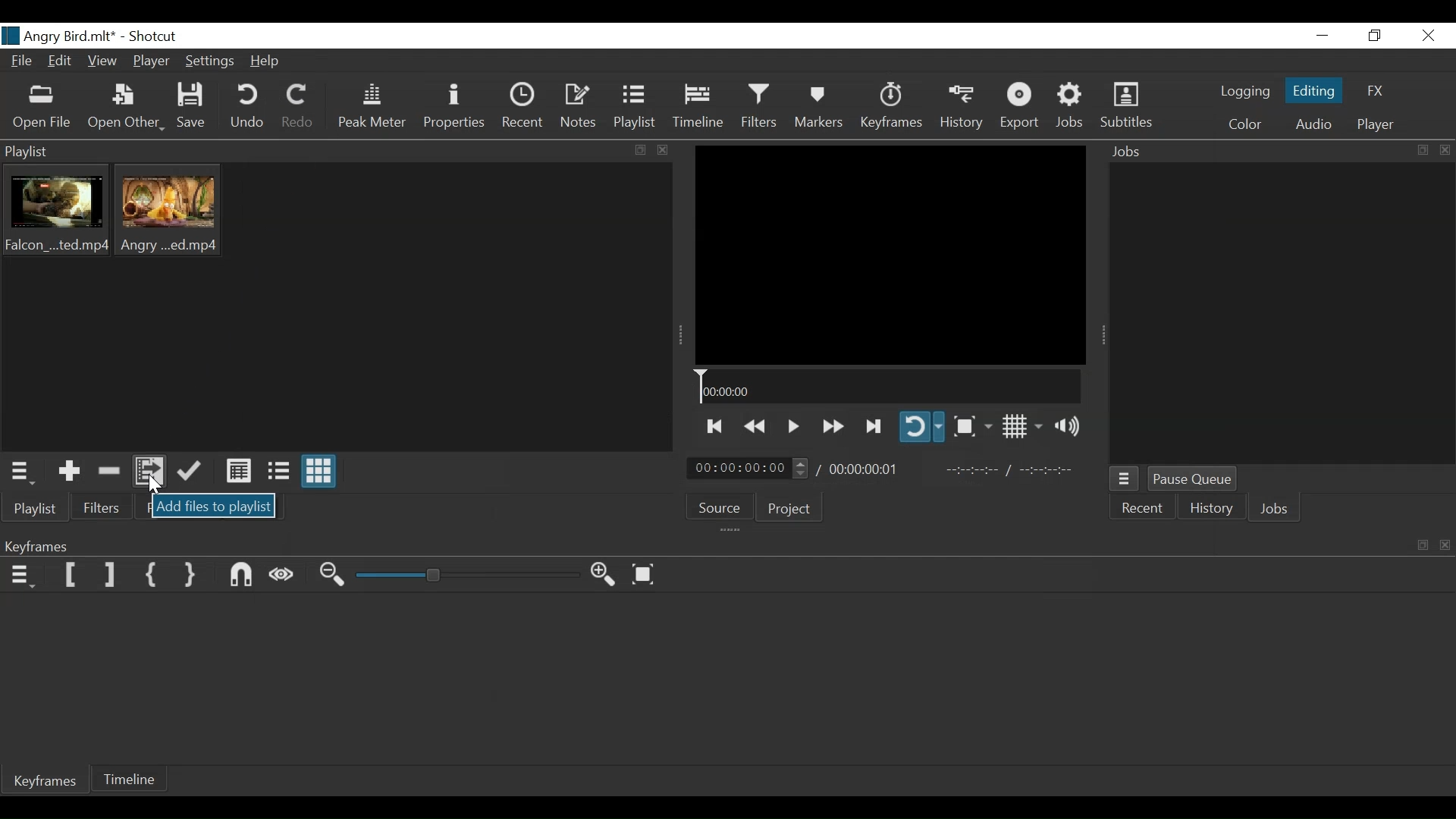  Describe the element at coordinates (137, 777) in the screenshot. I see `Timeline` at that location.